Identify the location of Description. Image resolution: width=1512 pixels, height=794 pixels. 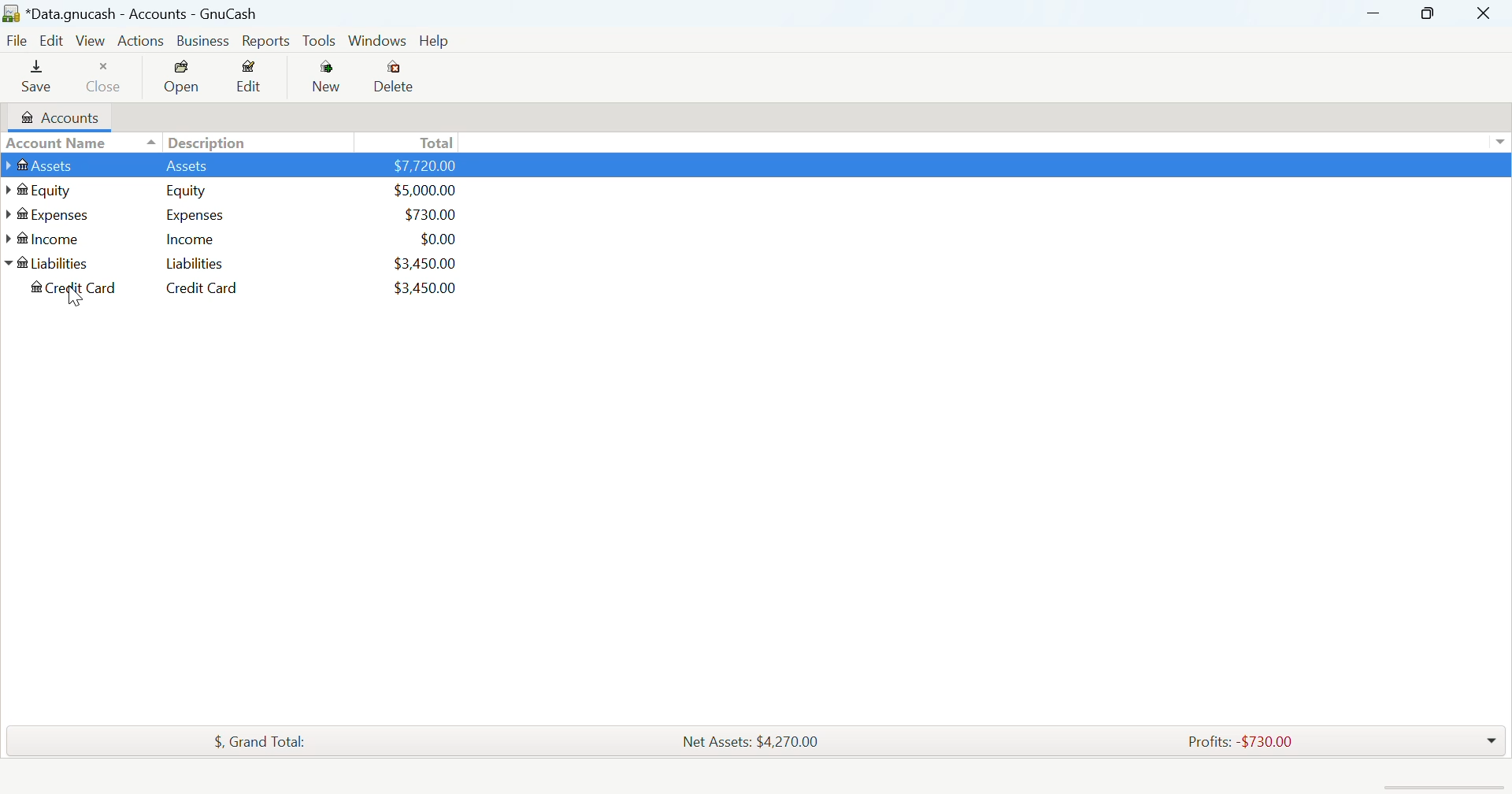
(211, 143).